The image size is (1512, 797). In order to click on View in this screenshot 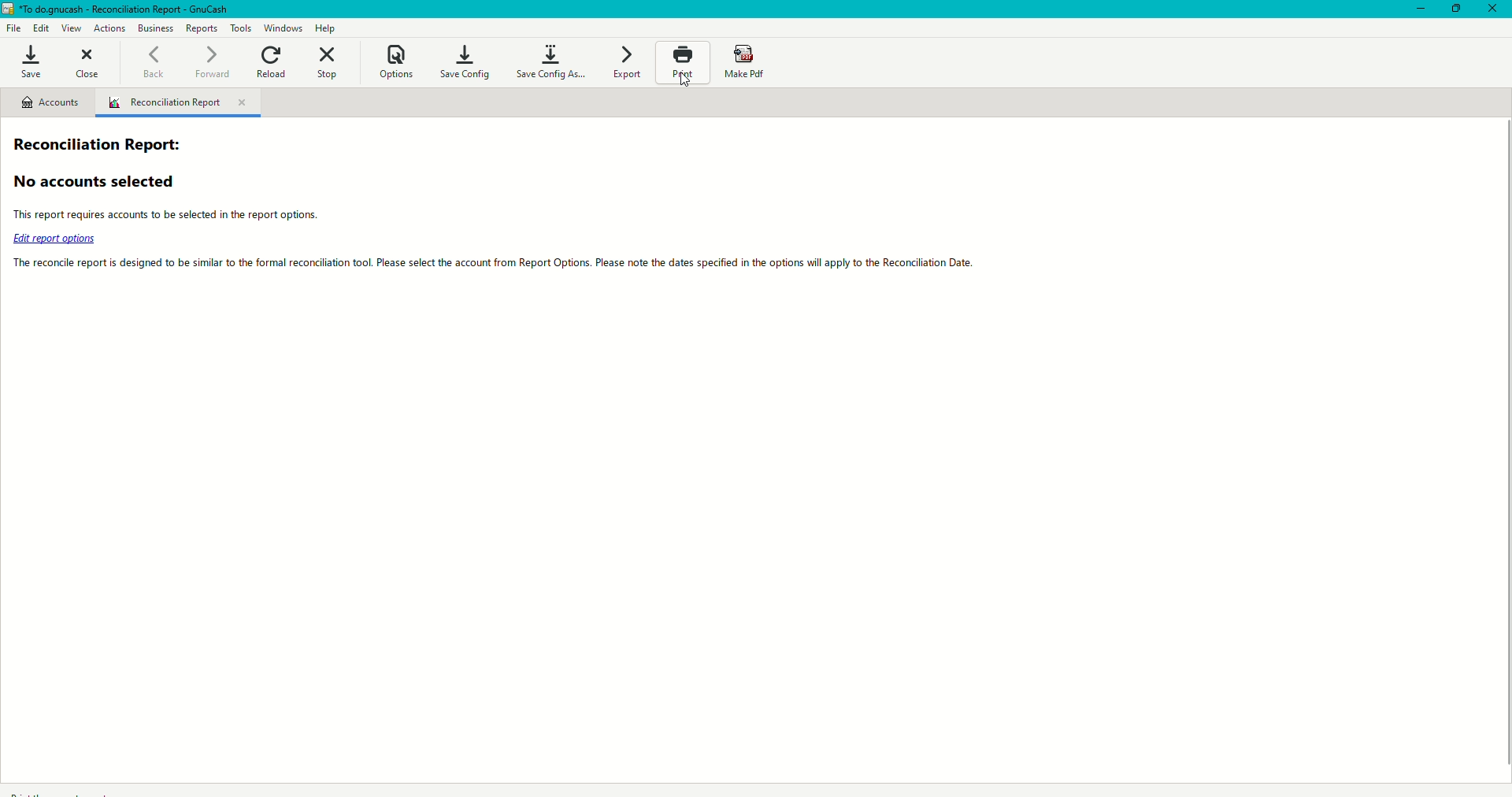, I will do `click(70, 27)`.